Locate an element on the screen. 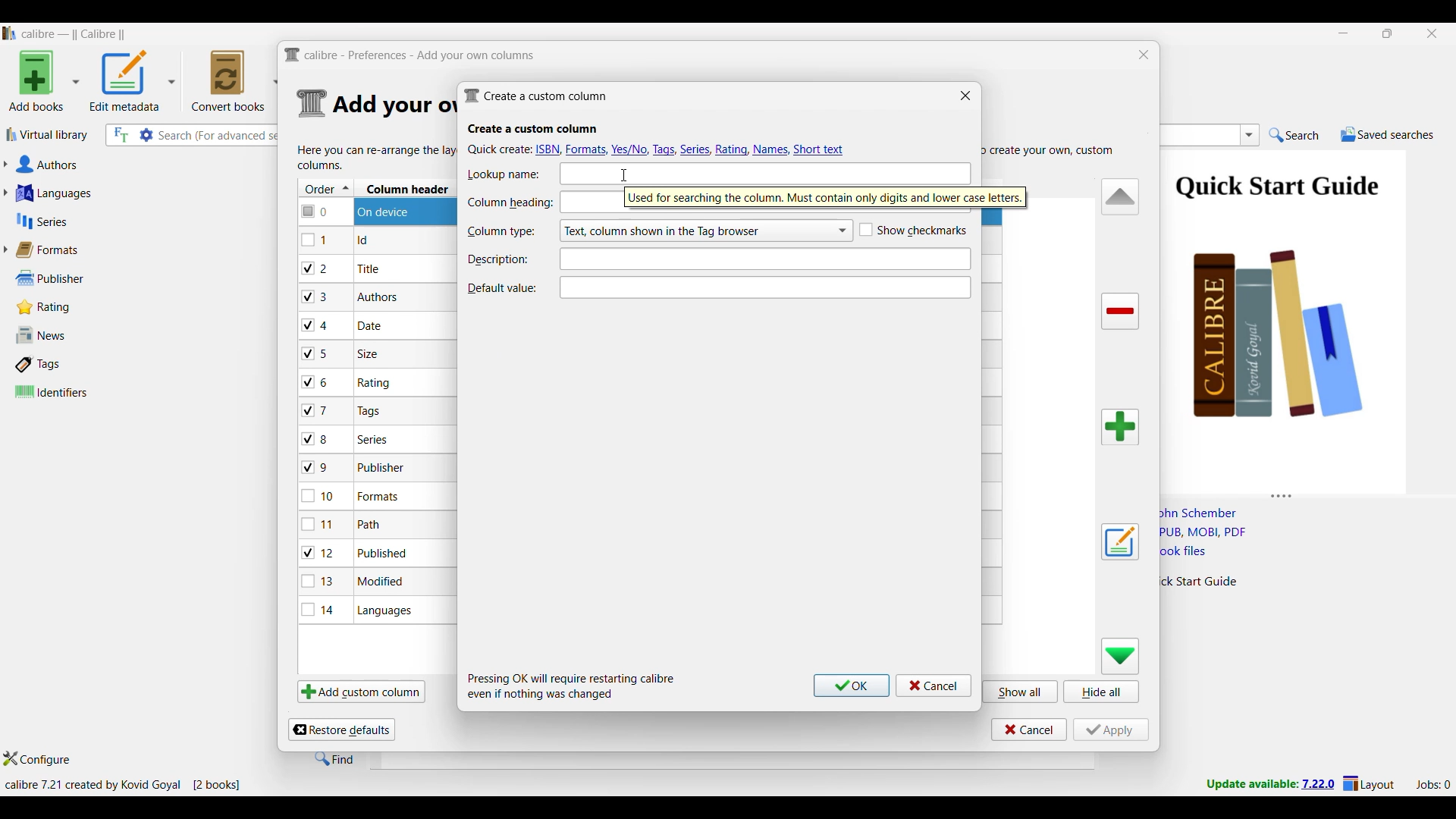 This screenshot has height=819, width=1456. Input search here is located at coordinates (220, 136).